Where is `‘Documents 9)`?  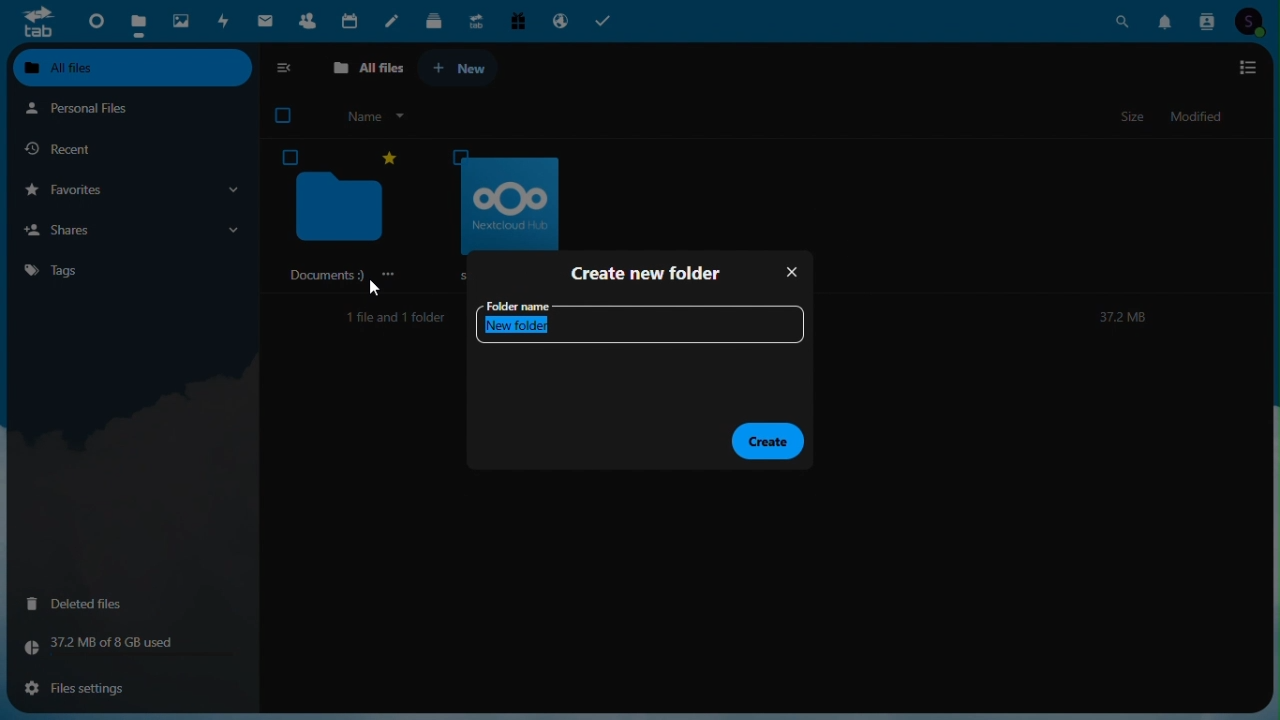
‘Documents 9) is located at coordinates (345, 217).